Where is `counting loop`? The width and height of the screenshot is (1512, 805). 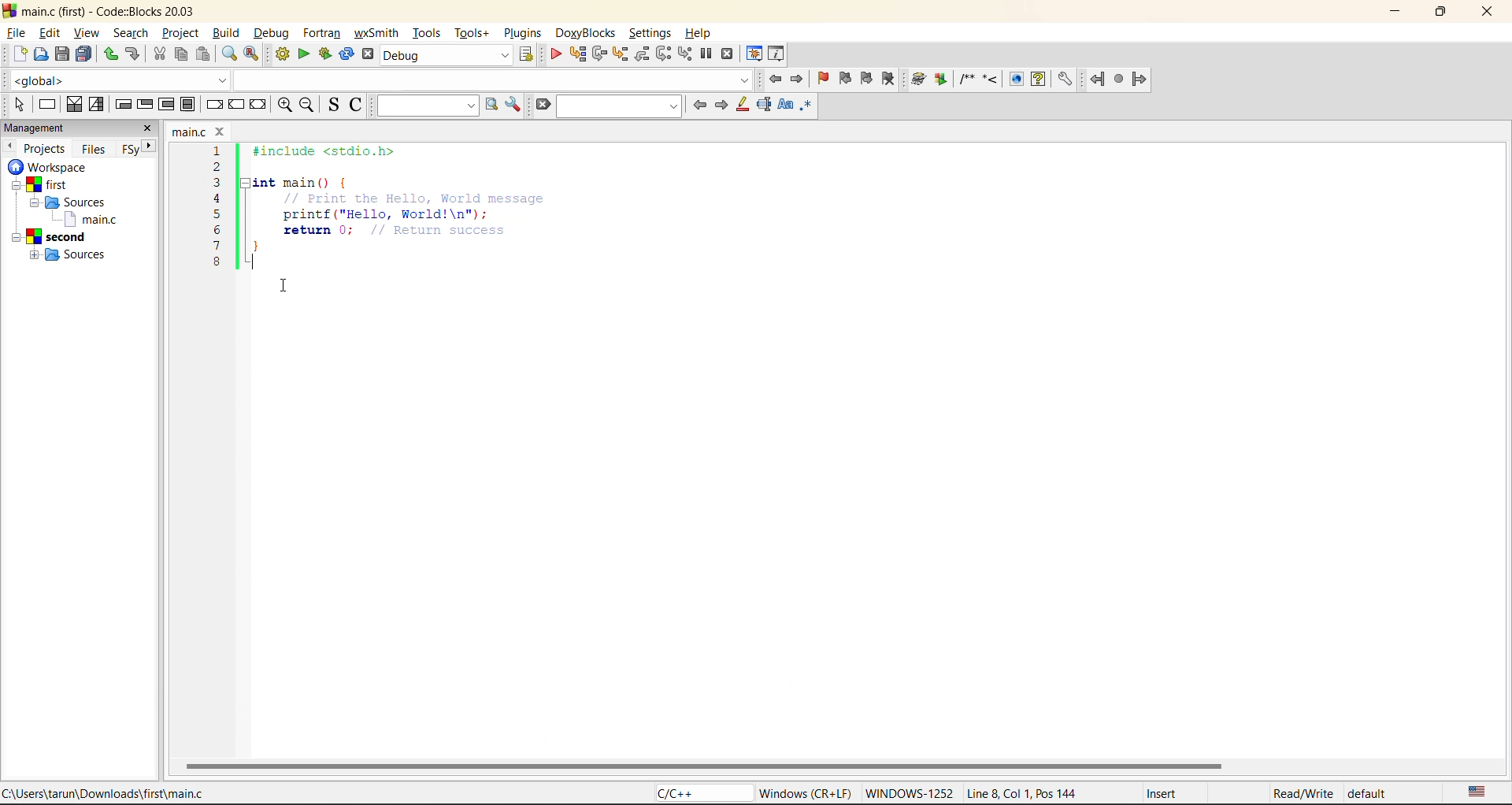
counting loop is located at coordinates (167, 104).